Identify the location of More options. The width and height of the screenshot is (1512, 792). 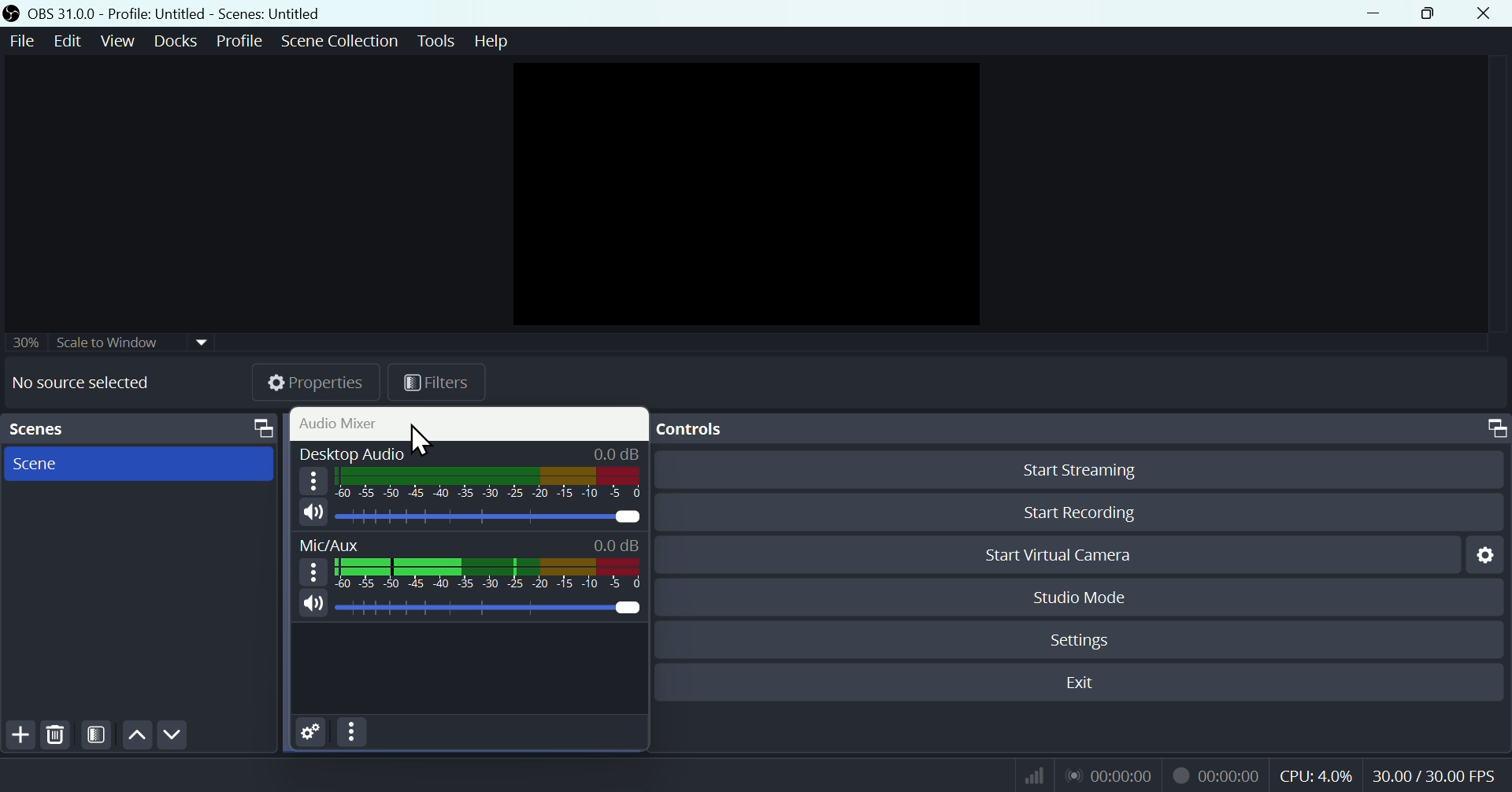
(354, 733).